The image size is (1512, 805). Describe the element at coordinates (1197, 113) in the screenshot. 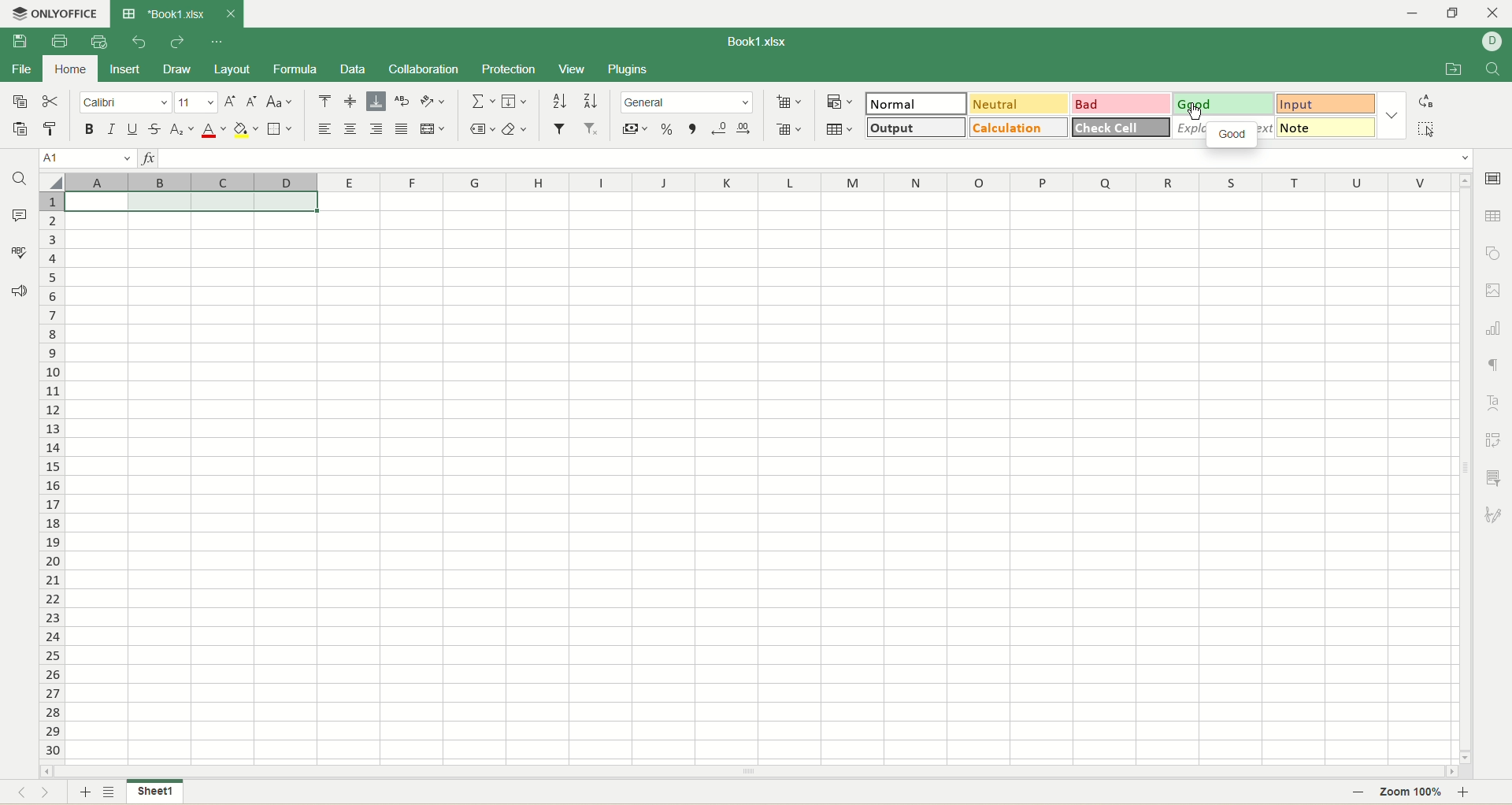

I see `cursor` at that location.